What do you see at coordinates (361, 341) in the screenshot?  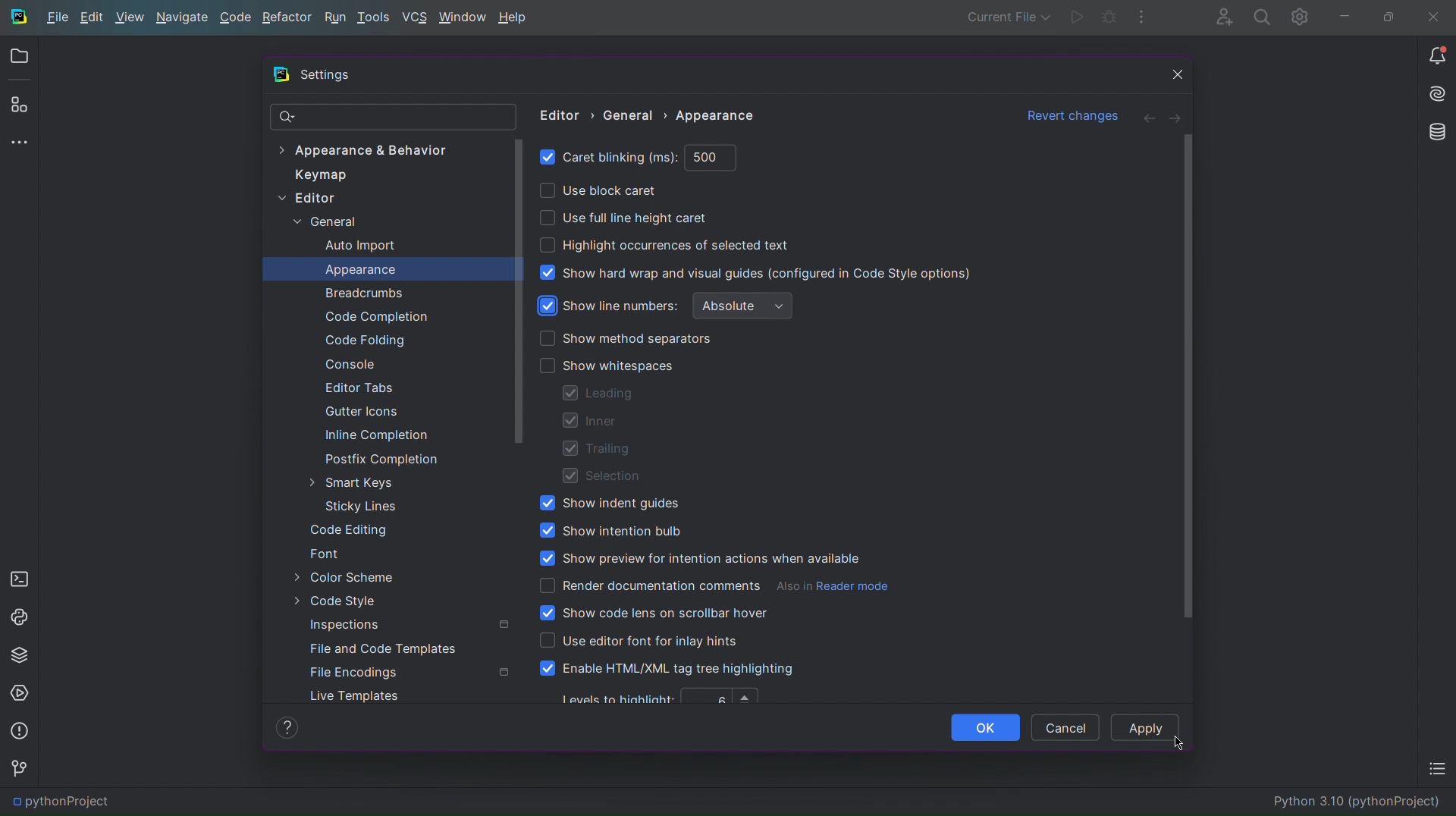 I see `Code Folding ` at bounding box center [361, 341].